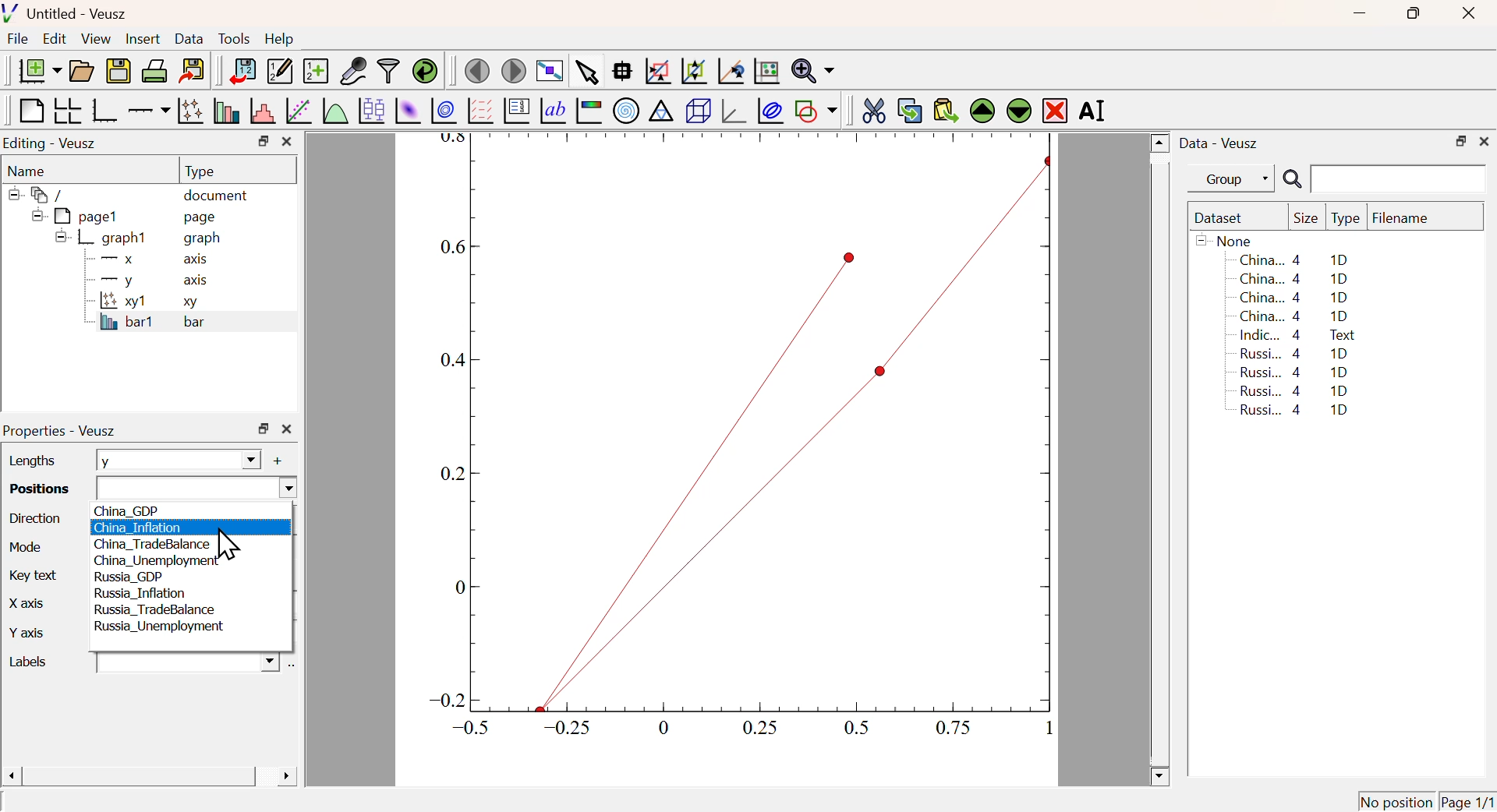  Describe the element at coordinates (1485, 139) in the screenshot. I see `Close` at that location.